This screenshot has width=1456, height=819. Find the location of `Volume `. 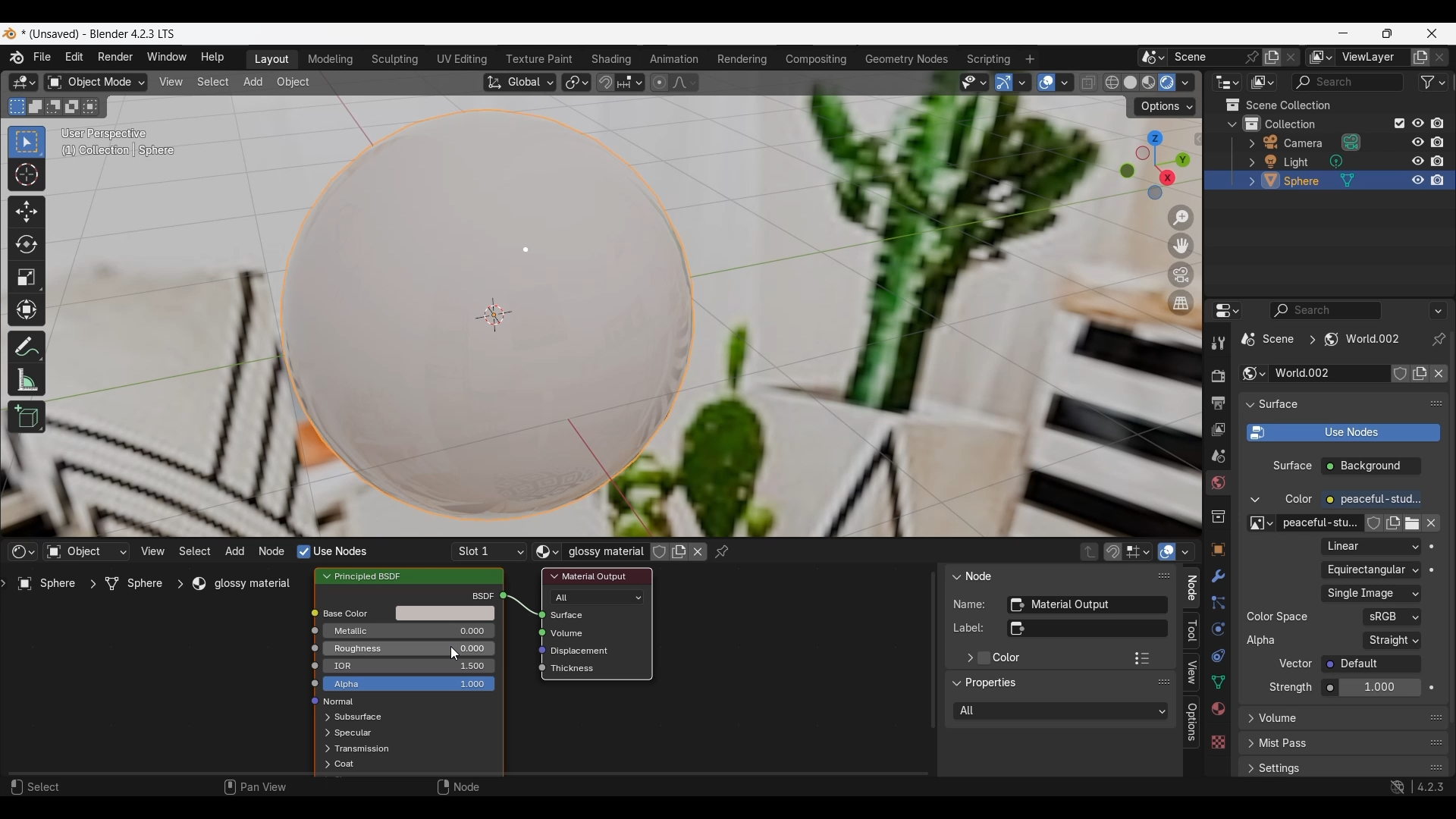

Volume  is located at coordinates (1280, 718).